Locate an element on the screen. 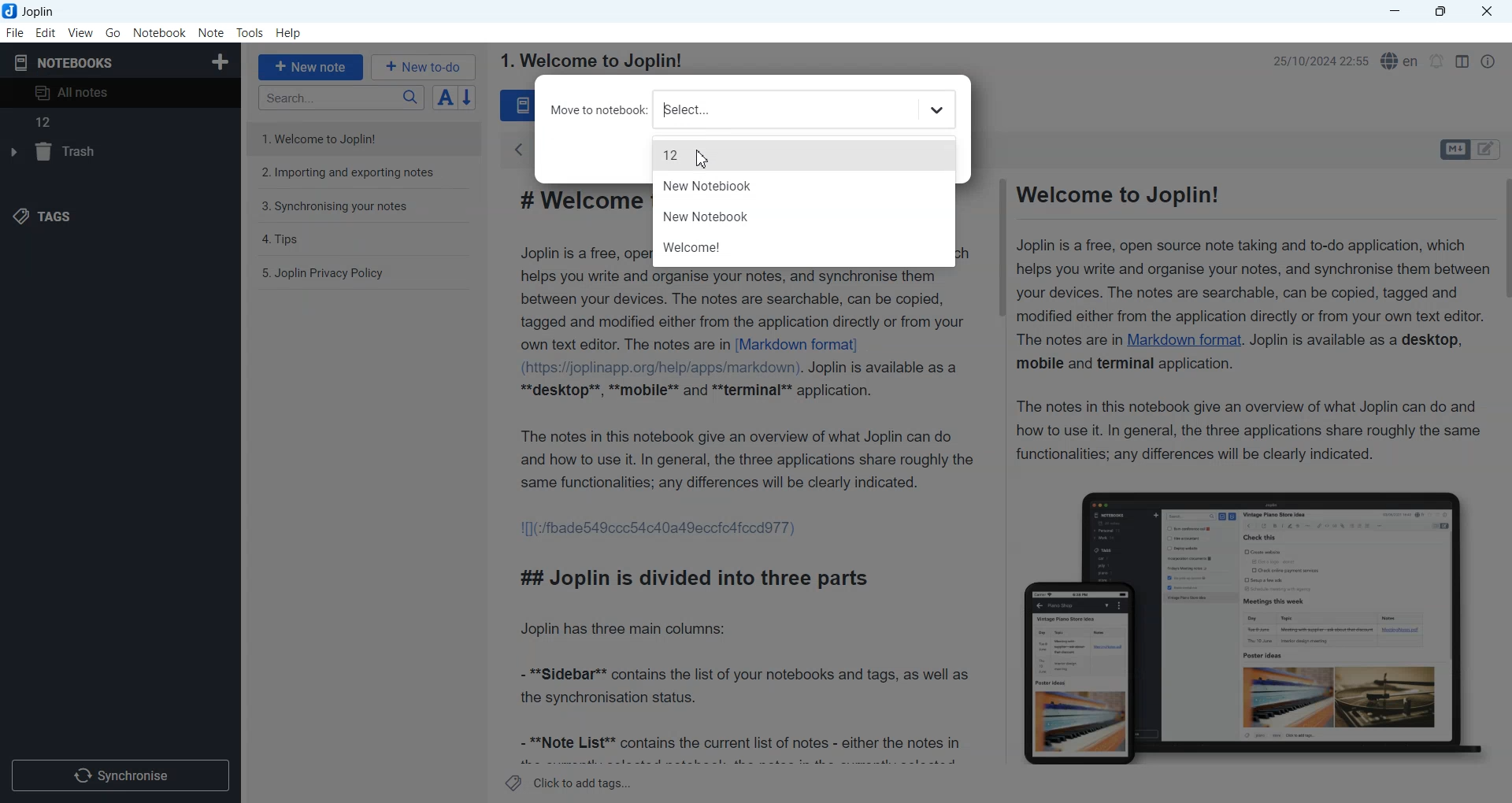 The height and width of the screenshot is (803, 1512). Welcome to Joplin!

Joplin is a free, open source note taking and to-do application, which
helps you write and organise your notes, and synchronise them between
your devices. The notes are searchable, can be copied, tagged and
modified either from the application directly or from your own text editor.
The notes are in Markdown format. Joplin is available as a desktop,
mobile and terminal application.

The notes in this notebook give an overview of what Joplin can do and
how to use it. In general, the three applications share roughly the same
functionalities; any differences will be clearly indicated. is located at coordinates (1247, 322).